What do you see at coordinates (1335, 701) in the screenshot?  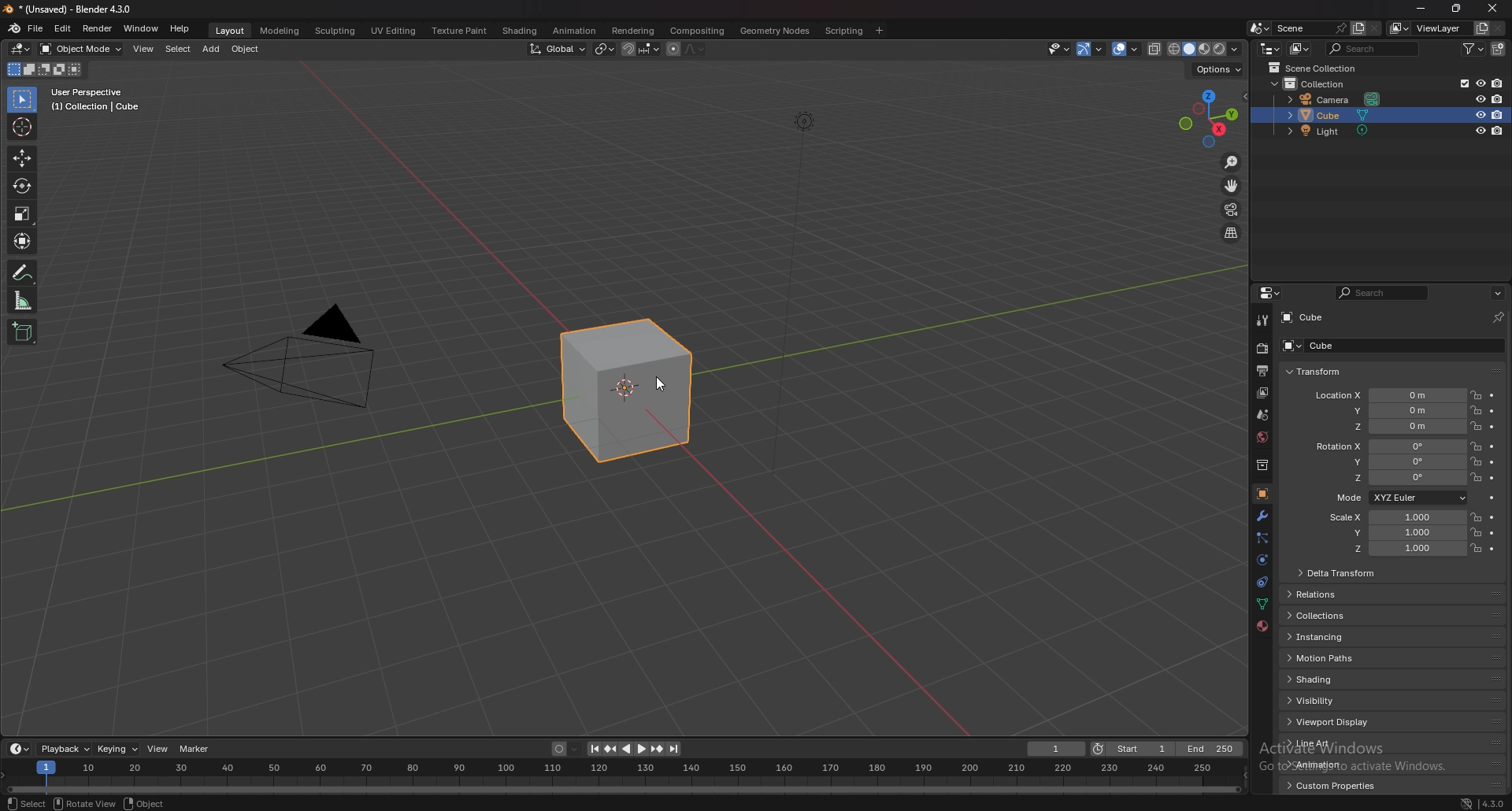 I see `visibility` at bounding box center [1335, 701].